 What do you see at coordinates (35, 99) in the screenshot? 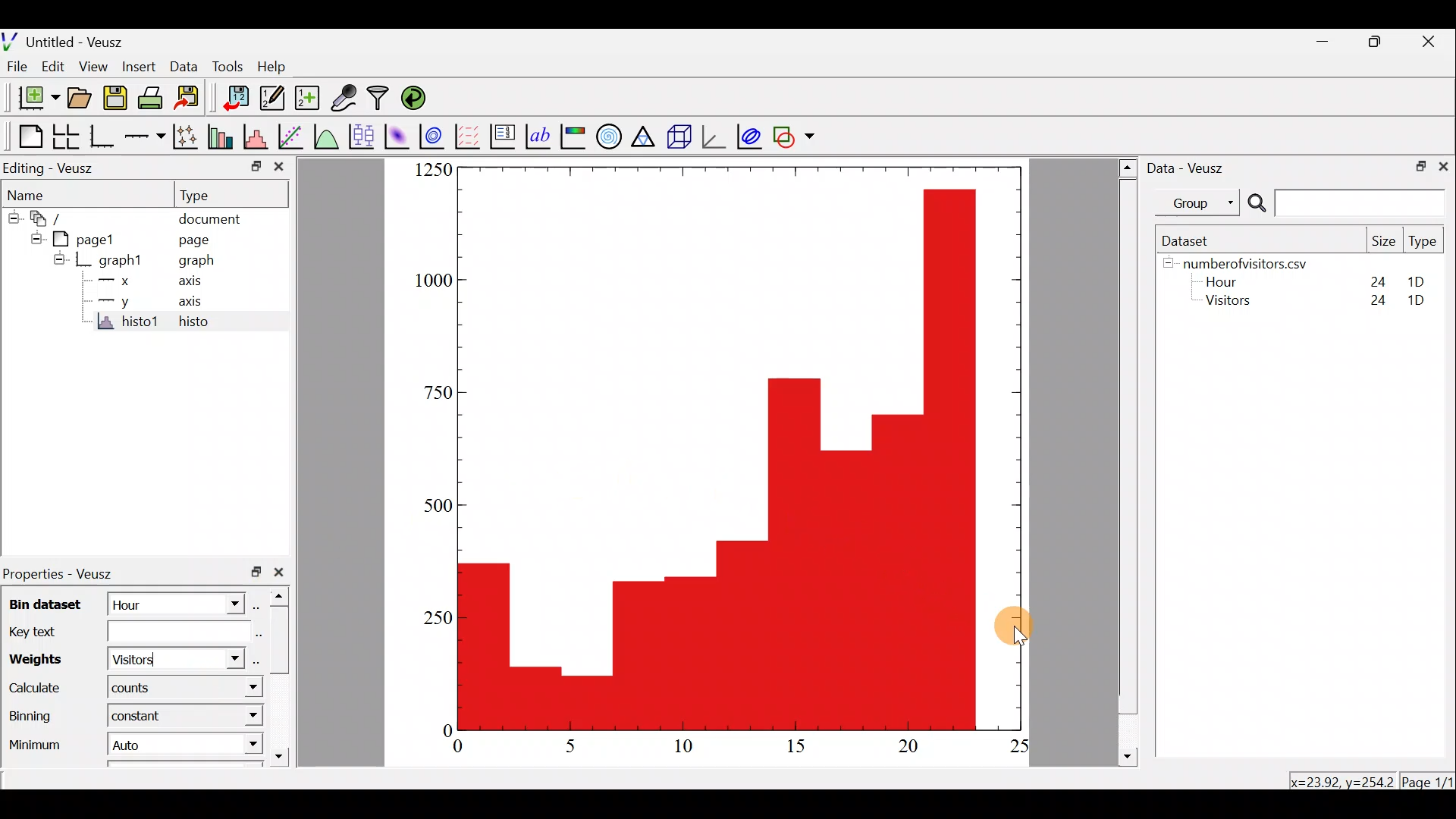
I see `new document` at bounding box center [35, 99].